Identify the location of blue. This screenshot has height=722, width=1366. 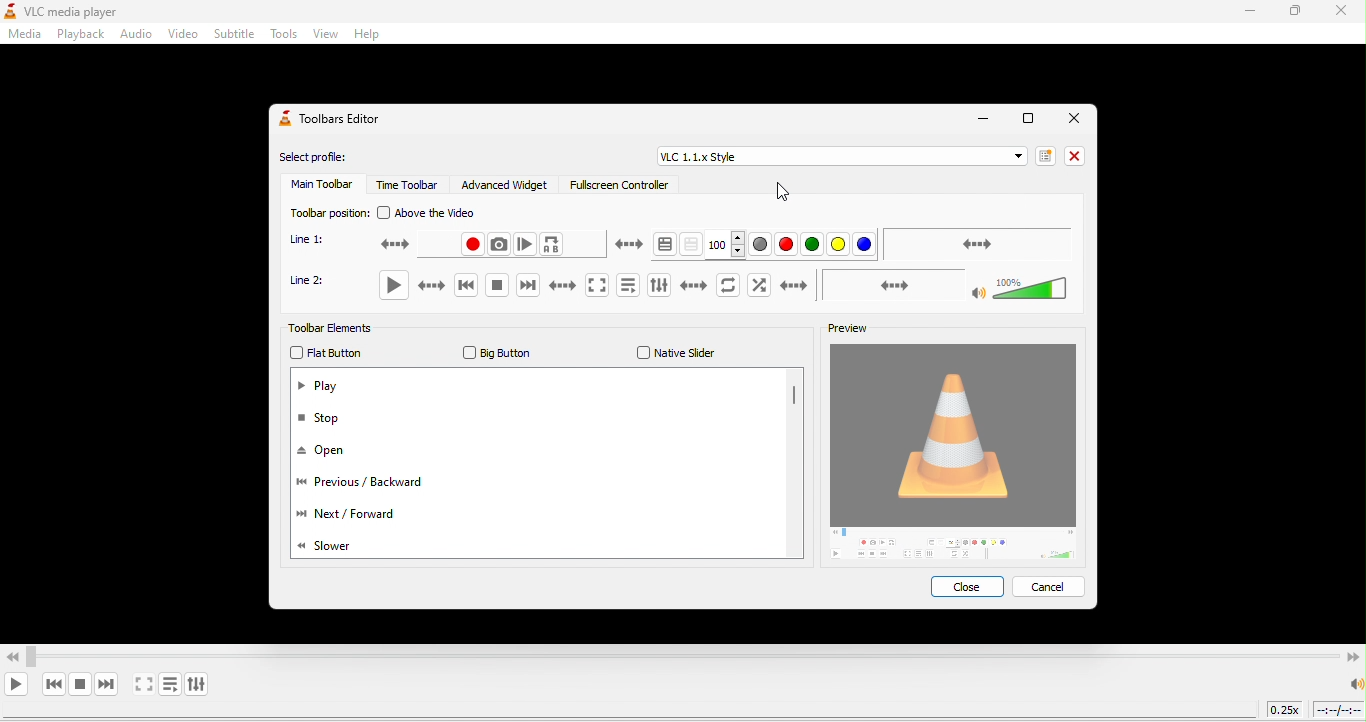
(865, 246).